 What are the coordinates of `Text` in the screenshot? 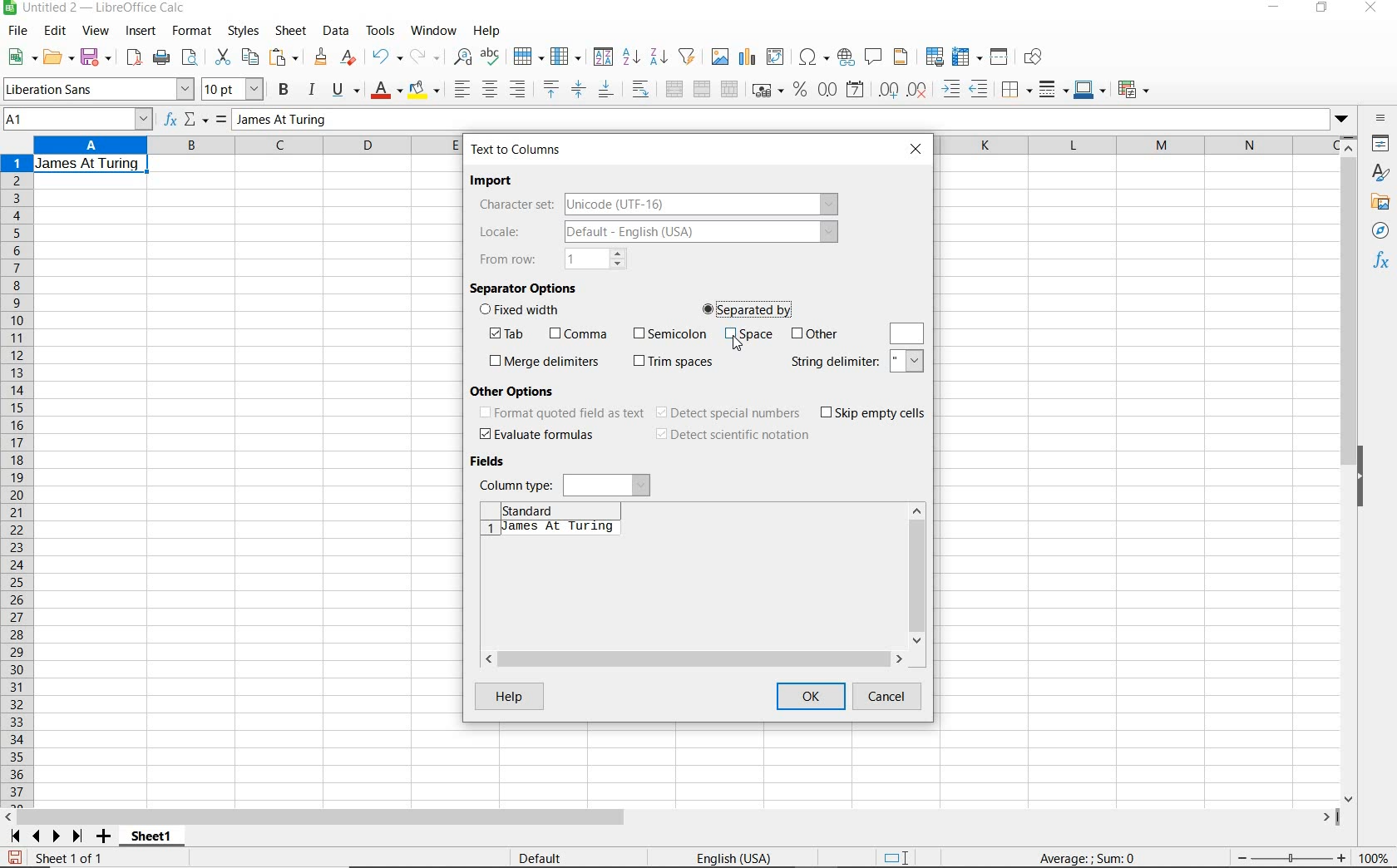 It's located at (88, 163).